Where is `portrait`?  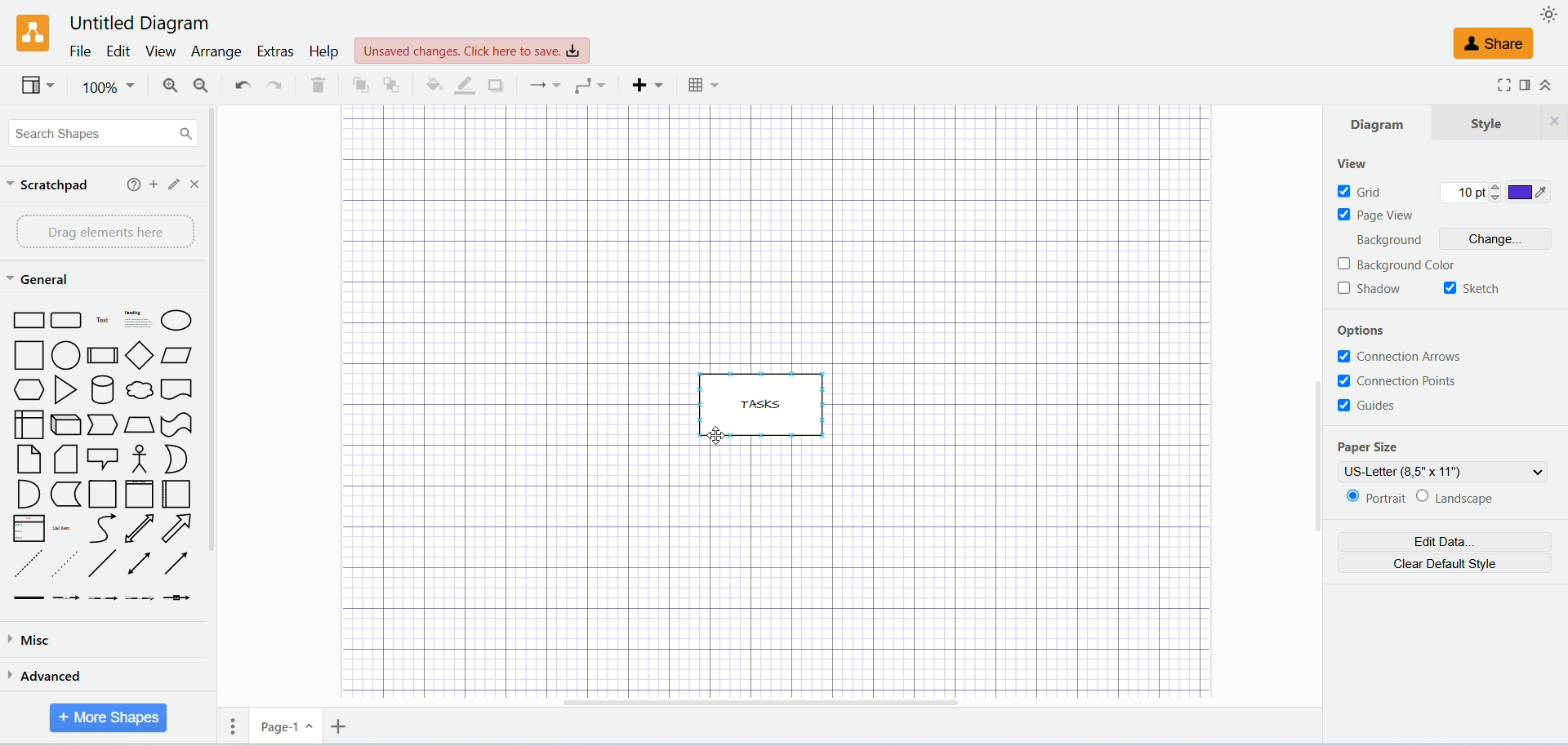
portrait is located at coordinates (1373, 499).